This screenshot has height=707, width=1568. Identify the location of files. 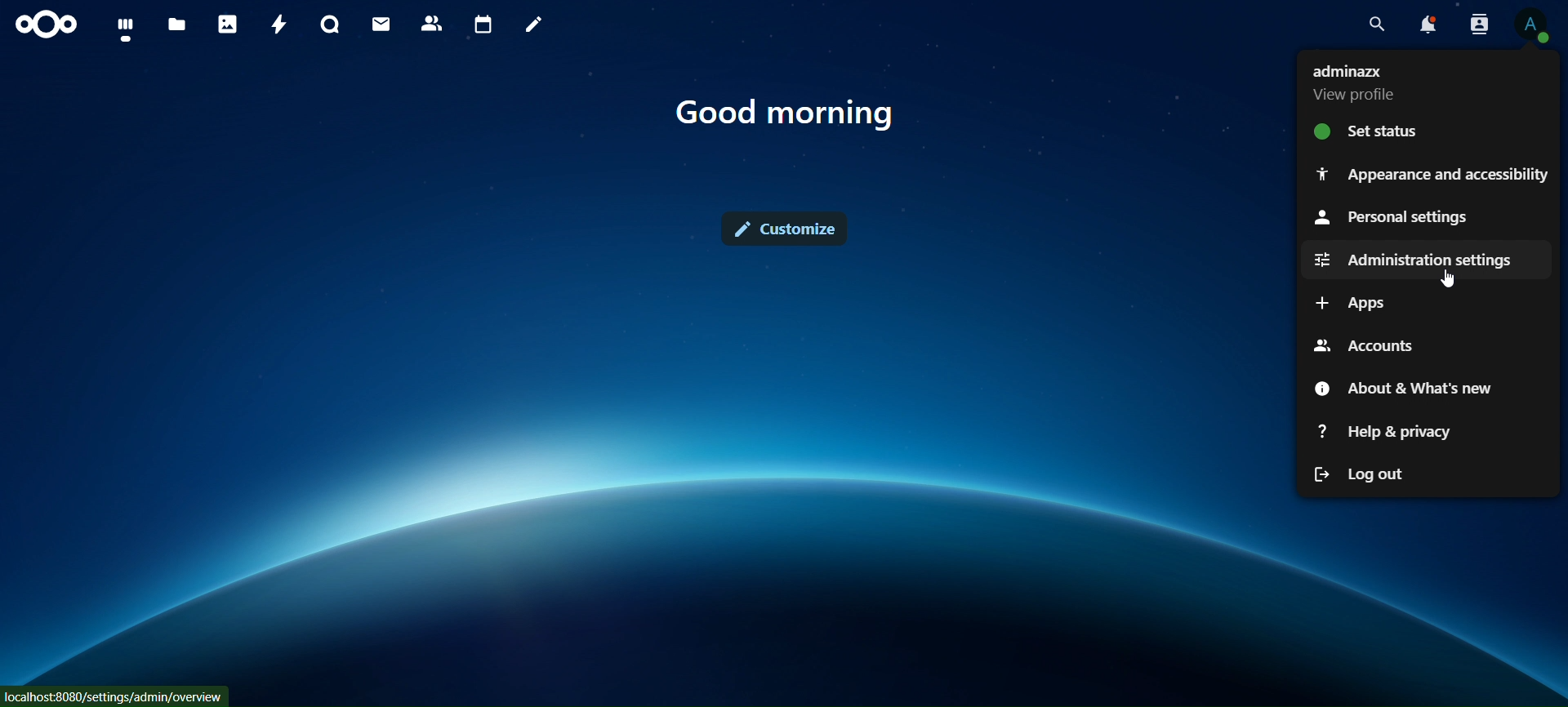
(176, 26).